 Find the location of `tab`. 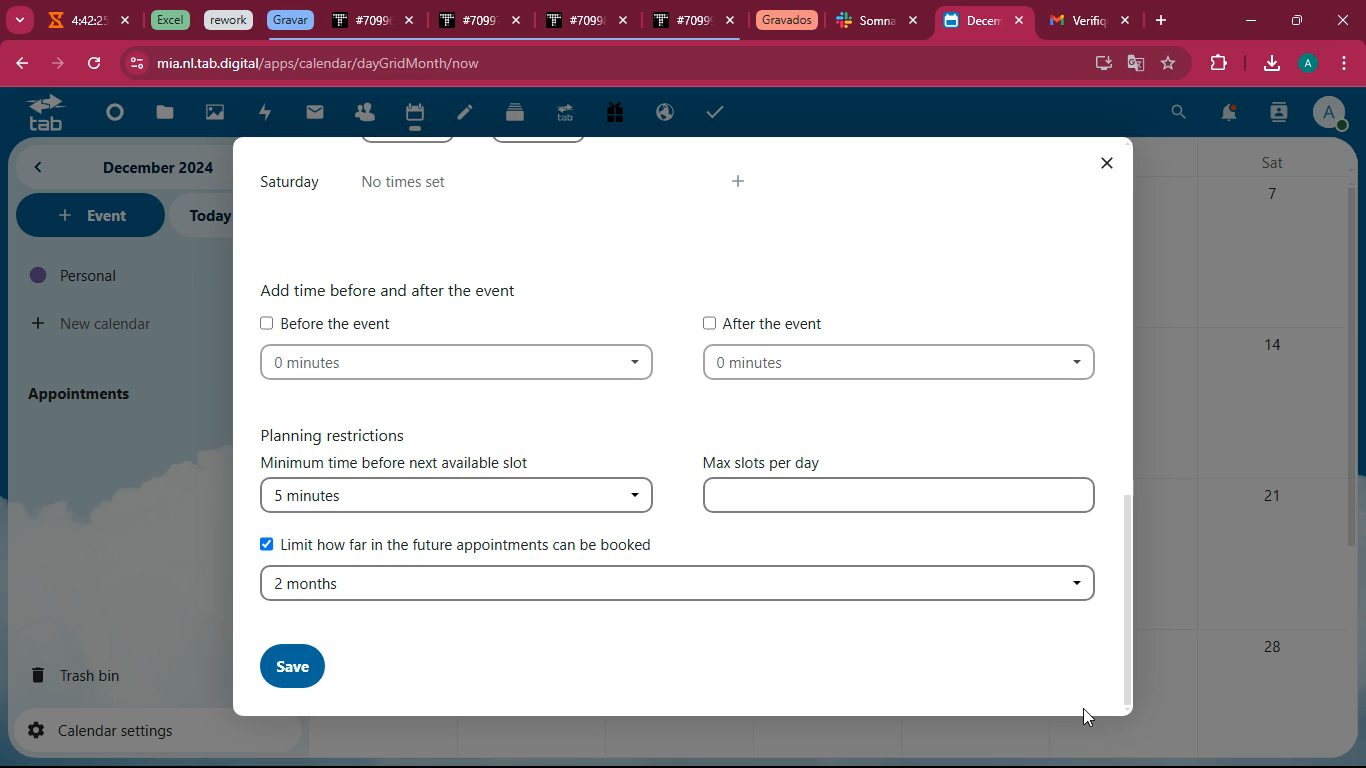

tab is located at coordinates (1074, 21).